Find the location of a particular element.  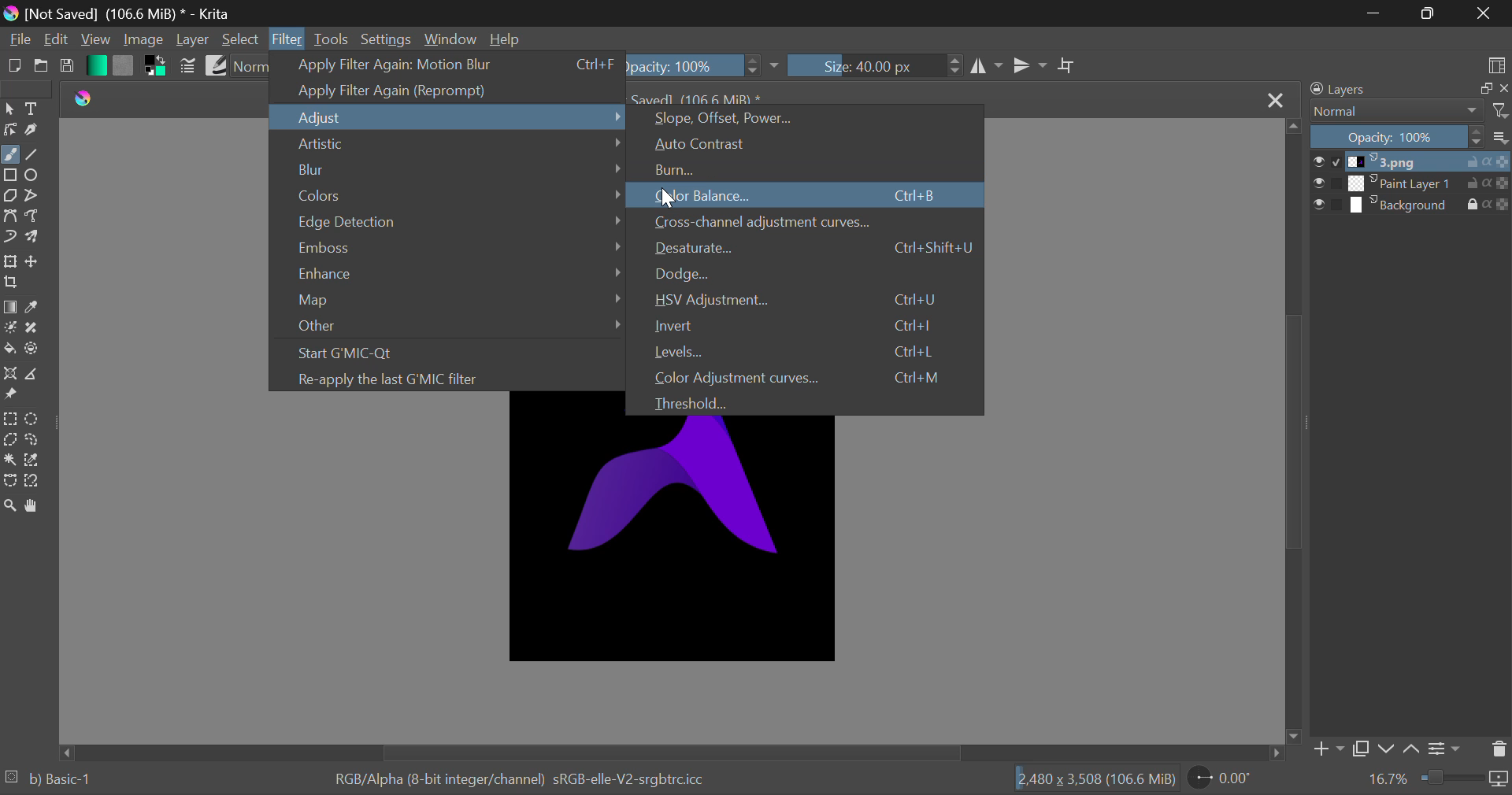

Rectangle Selection is located at coordinates (9, 419).